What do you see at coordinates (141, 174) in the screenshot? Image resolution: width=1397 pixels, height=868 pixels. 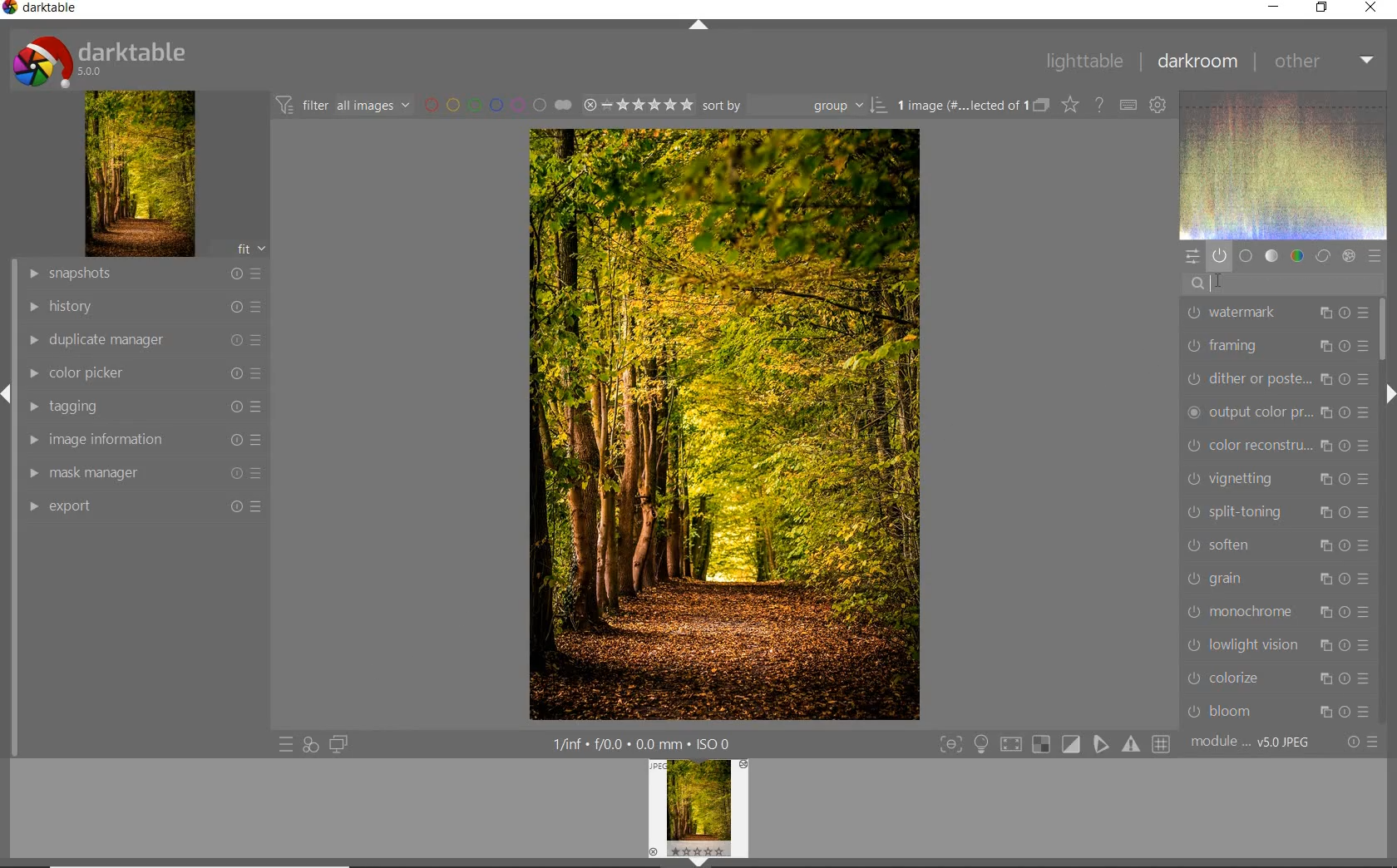 I see `image` at bounding box center [141, 174].